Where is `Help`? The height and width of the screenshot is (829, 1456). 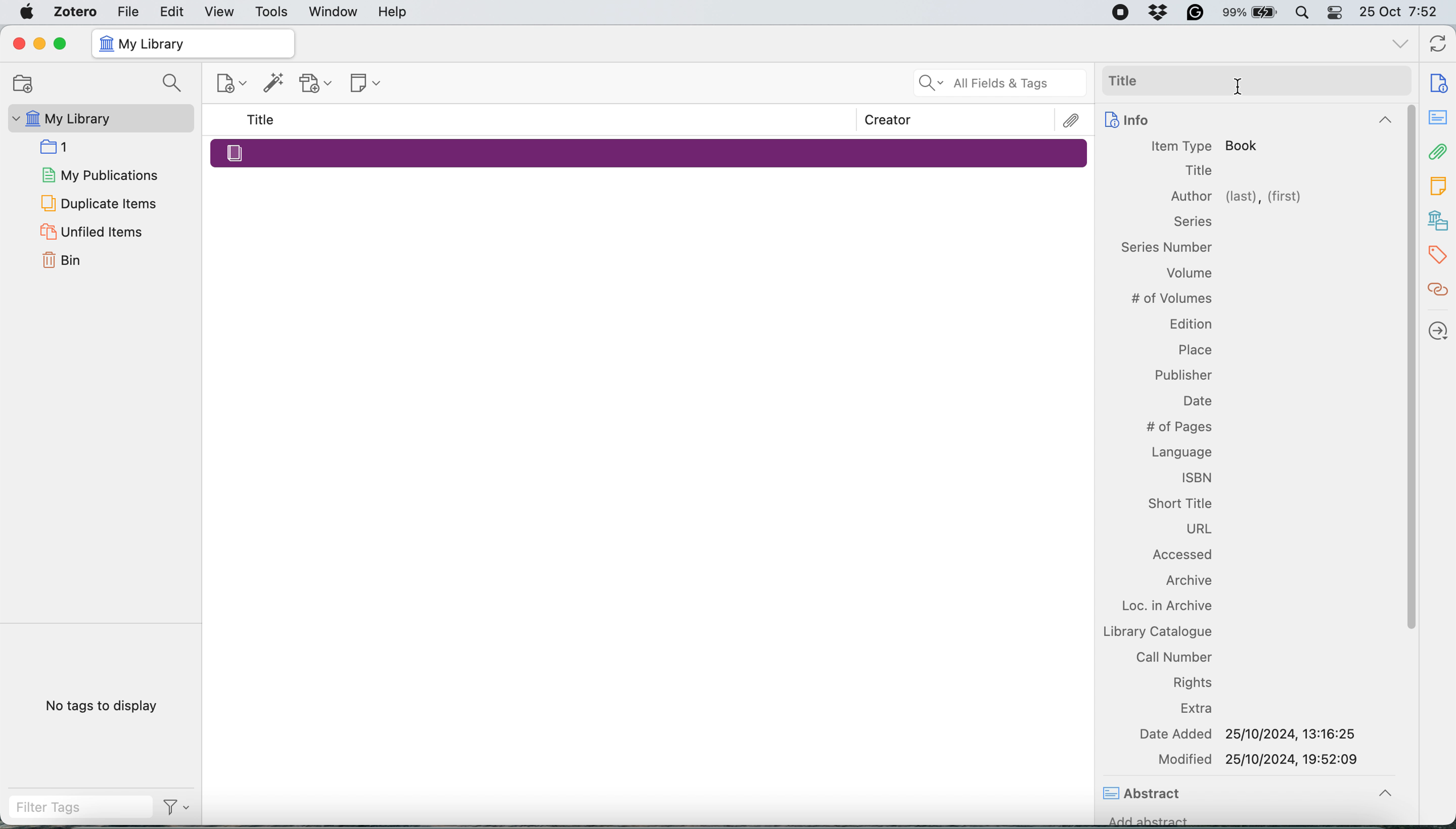
Help is located at coordinates (392, 11).